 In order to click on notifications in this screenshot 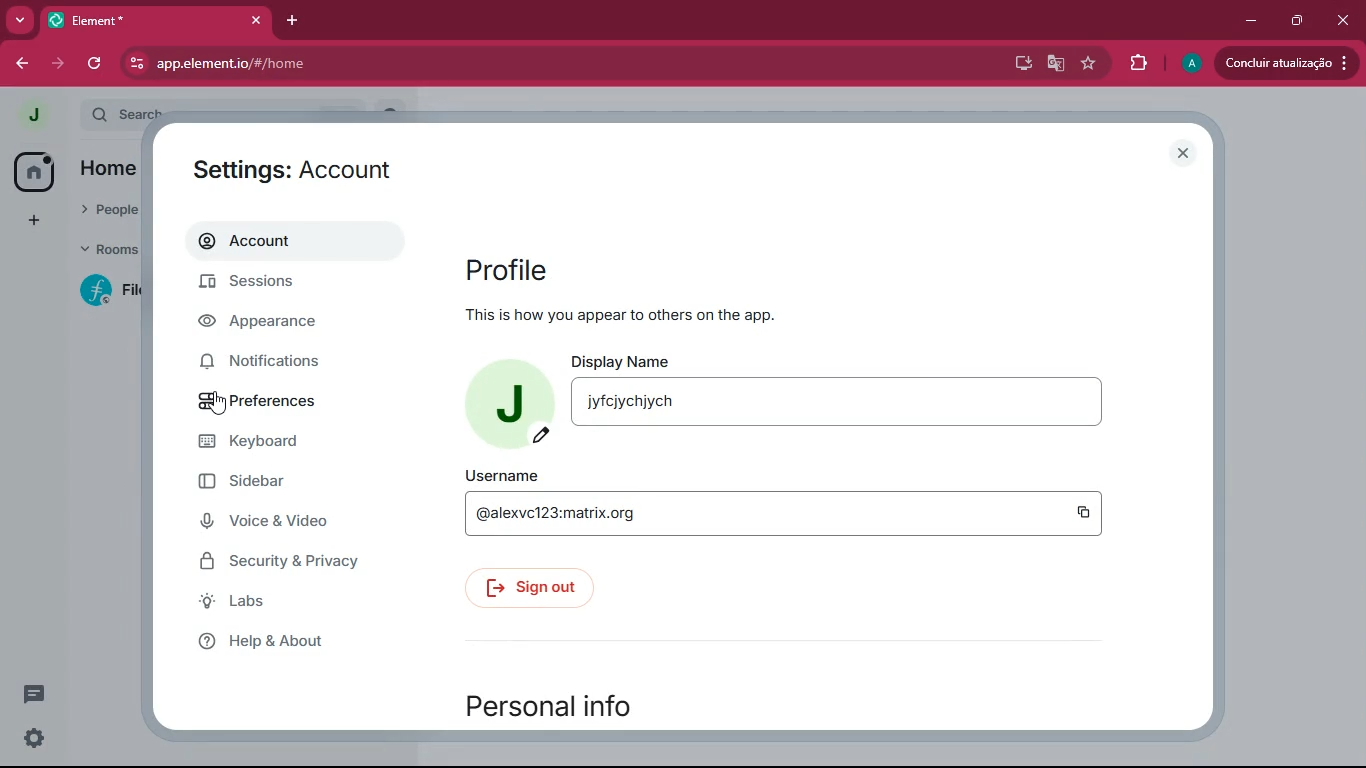, I will do `click(281, 366)`.